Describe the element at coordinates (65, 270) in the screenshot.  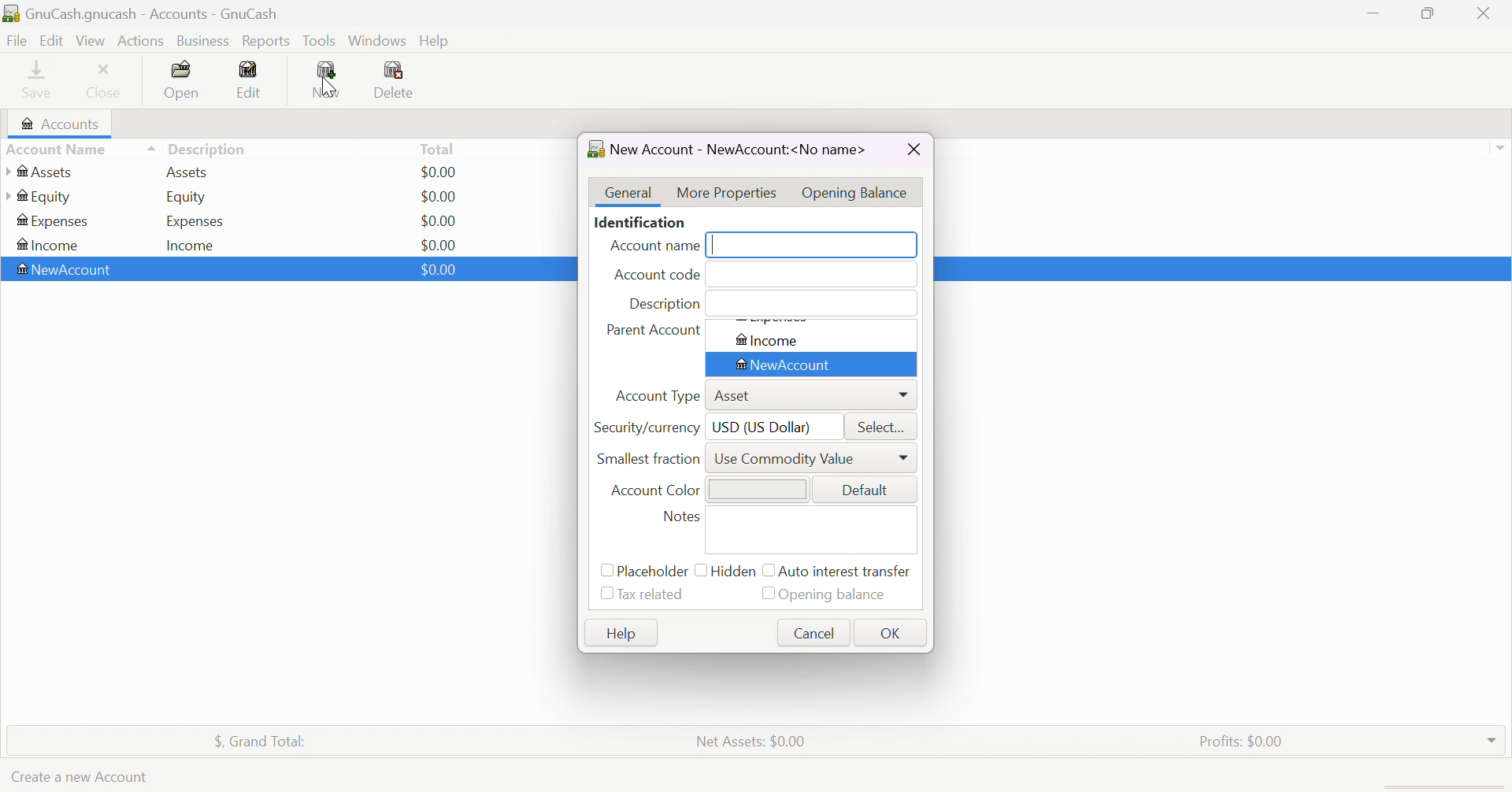
I see `New Account` at that location.